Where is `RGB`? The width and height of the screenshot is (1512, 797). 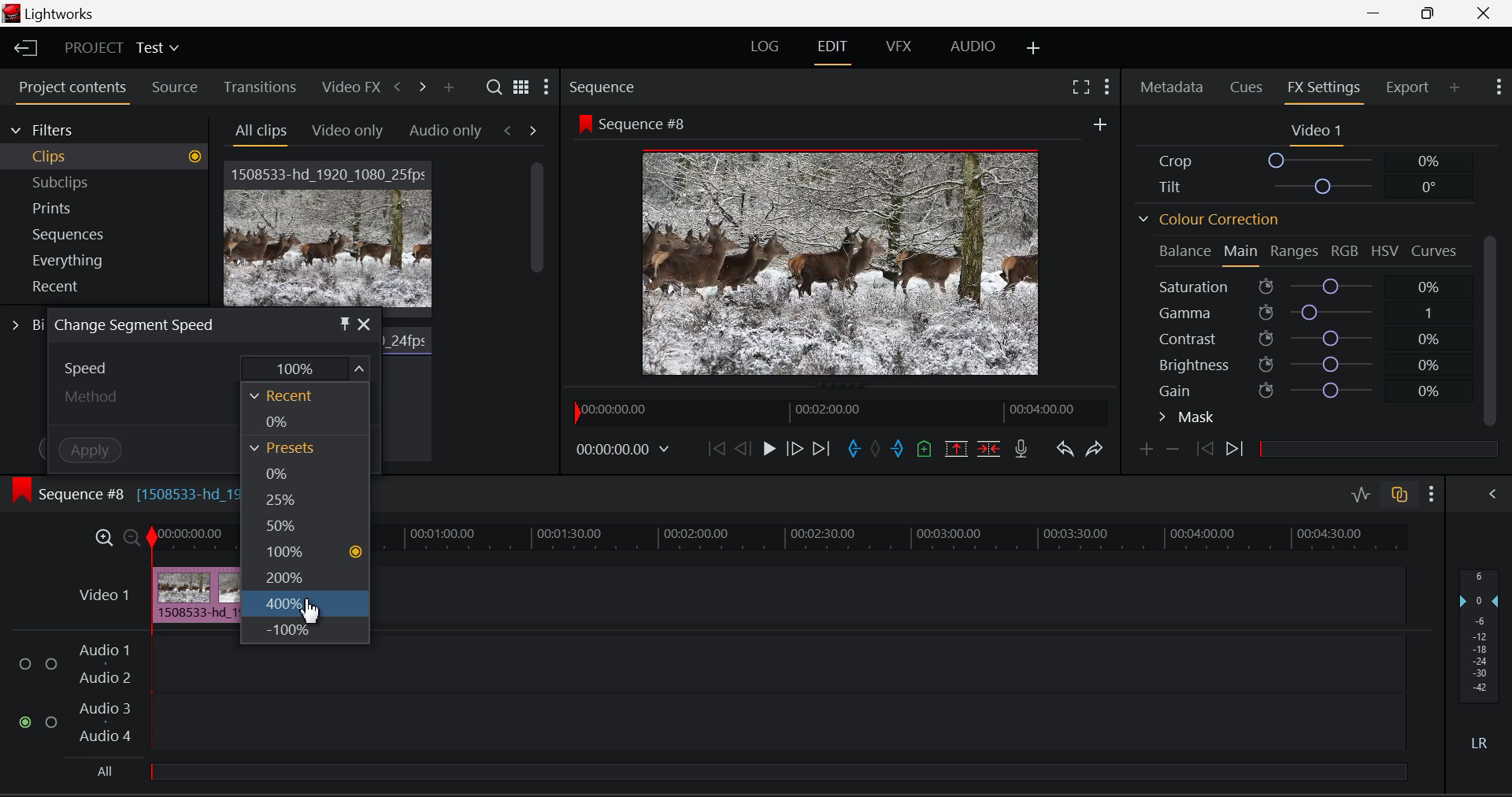
RGB is located at coordinates (1345, 252).